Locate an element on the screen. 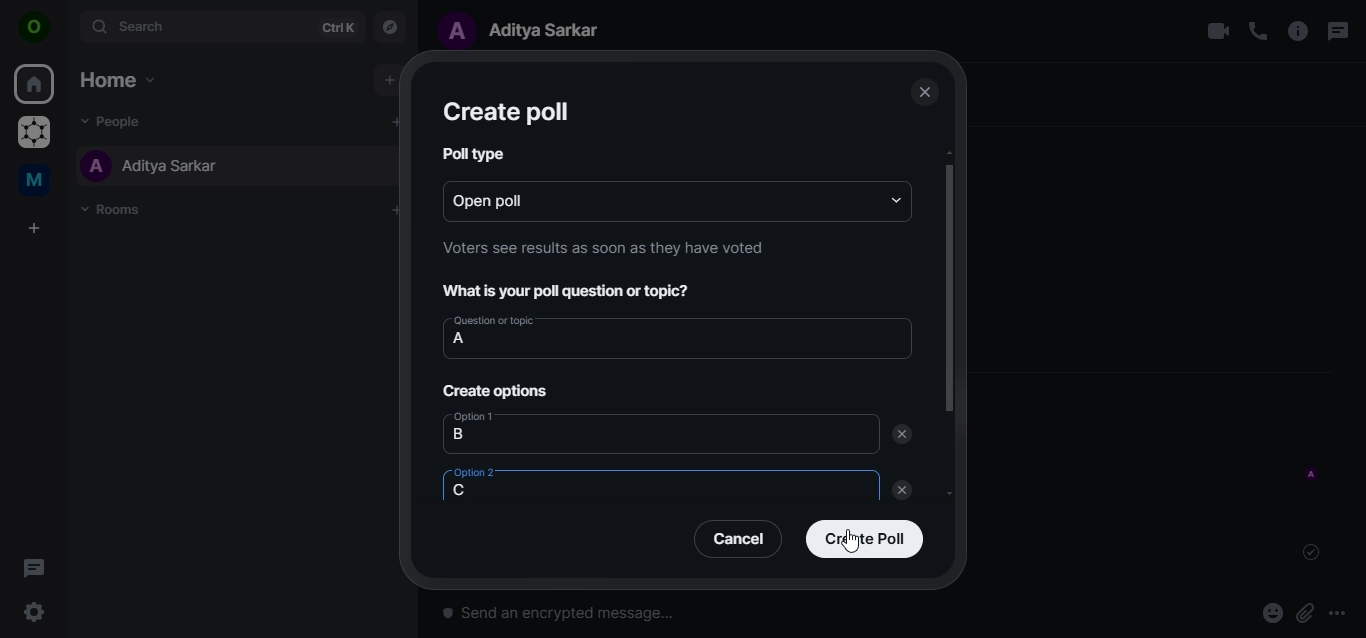  search is located at coordinates (220, 26).